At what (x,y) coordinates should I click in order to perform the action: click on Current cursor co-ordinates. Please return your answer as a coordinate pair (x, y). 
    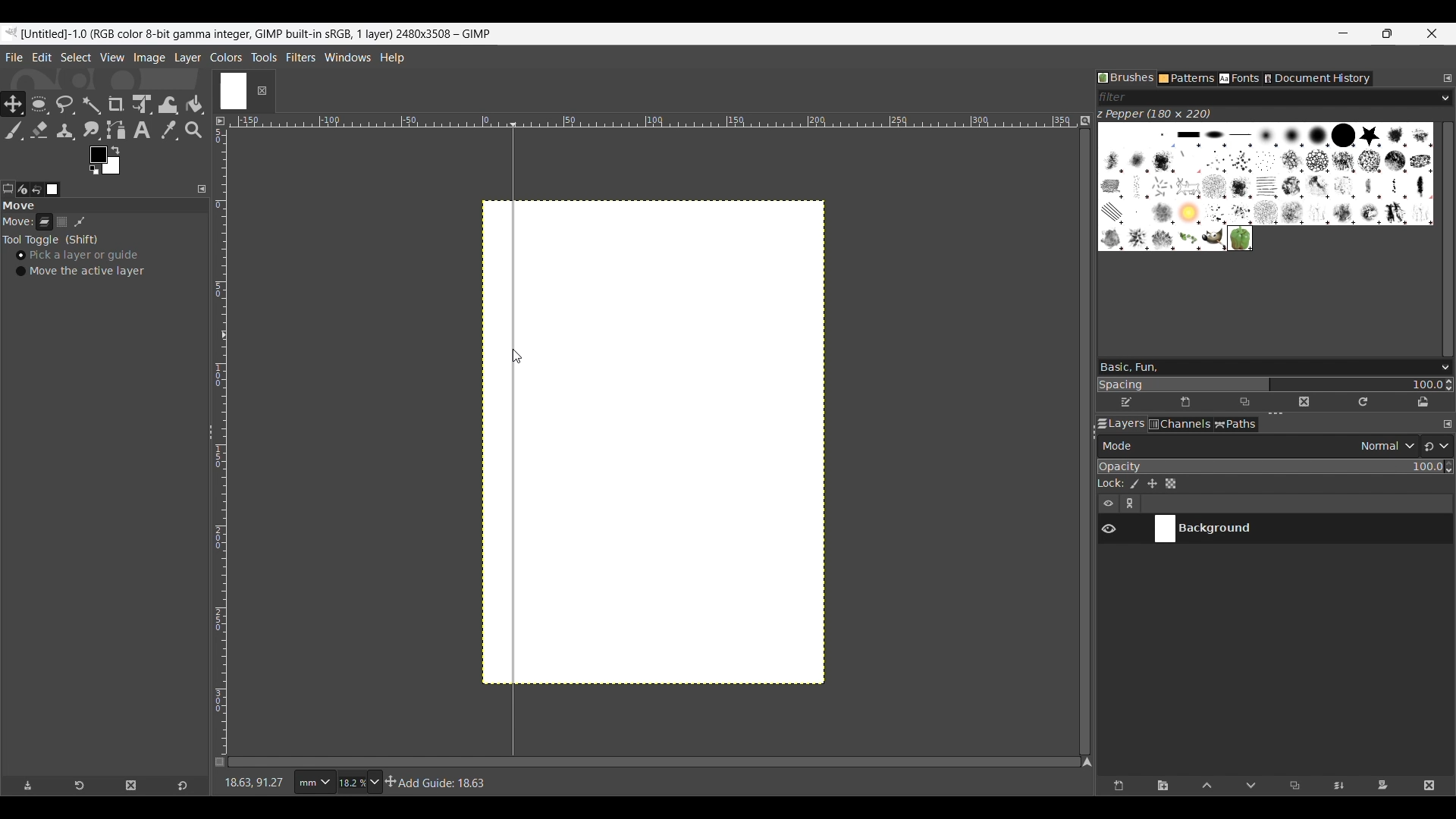
    Looking at the image, I should click on (253, 783).